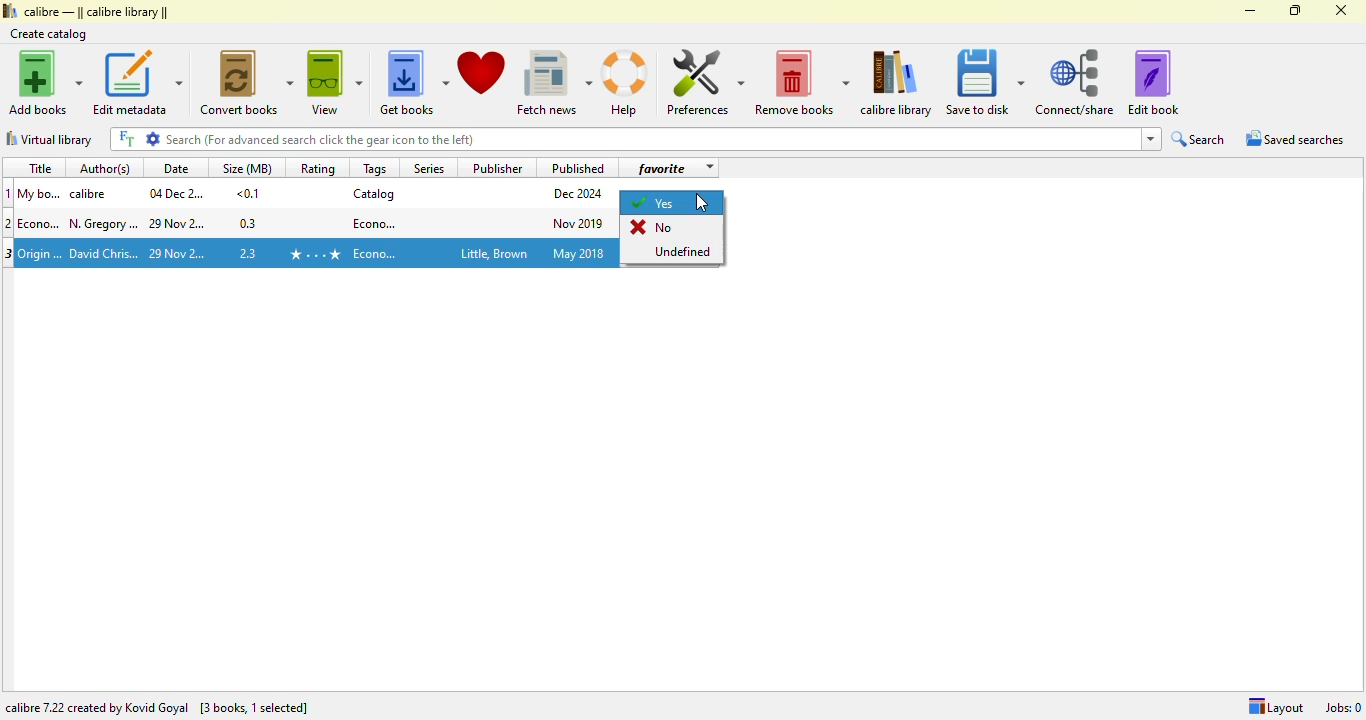 This screenshot has width=1366, height=720. What do you see at coordinates (314, 254) in the screenshot?
I see `rating` at bounding box center [314, 254].